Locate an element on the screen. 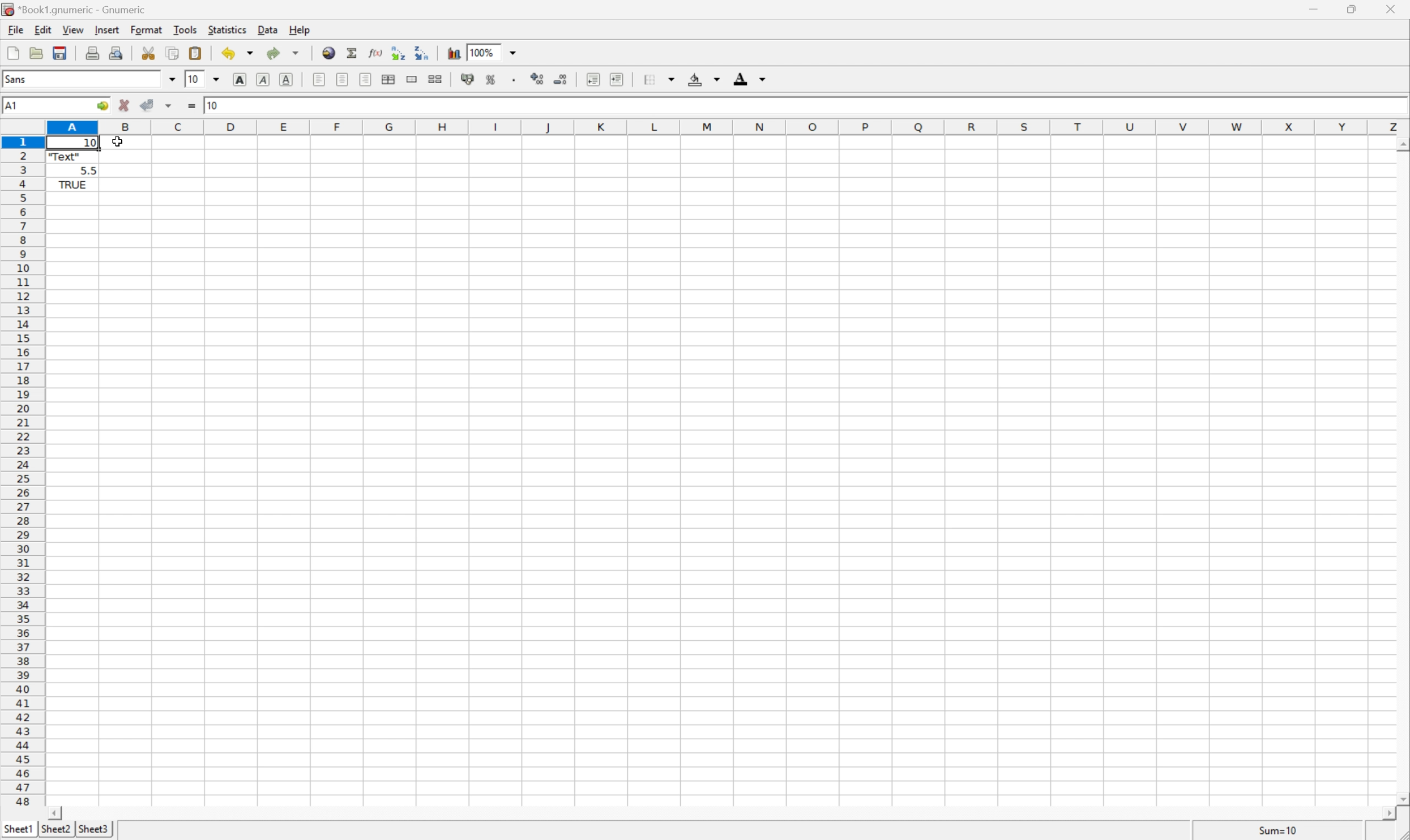 The image size is (1410, 840). "Text" is located at coordinates (65, 158).